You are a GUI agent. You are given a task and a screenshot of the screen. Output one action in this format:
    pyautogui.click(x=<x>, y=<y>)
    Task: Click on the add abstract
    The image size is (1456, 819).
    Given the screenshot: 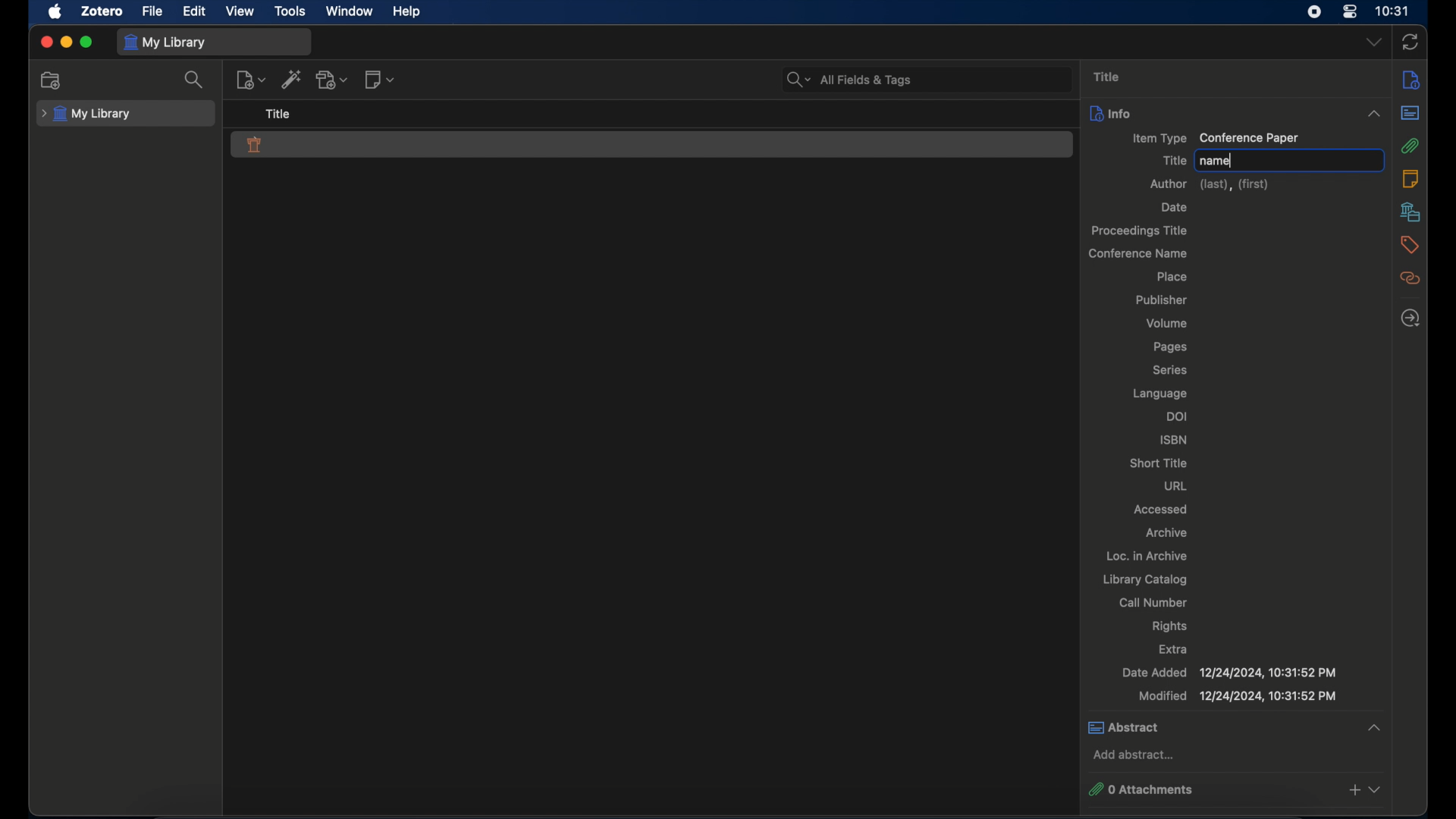 What is the action you would take?
    pyautogui.click(x=1136, y=755)
    